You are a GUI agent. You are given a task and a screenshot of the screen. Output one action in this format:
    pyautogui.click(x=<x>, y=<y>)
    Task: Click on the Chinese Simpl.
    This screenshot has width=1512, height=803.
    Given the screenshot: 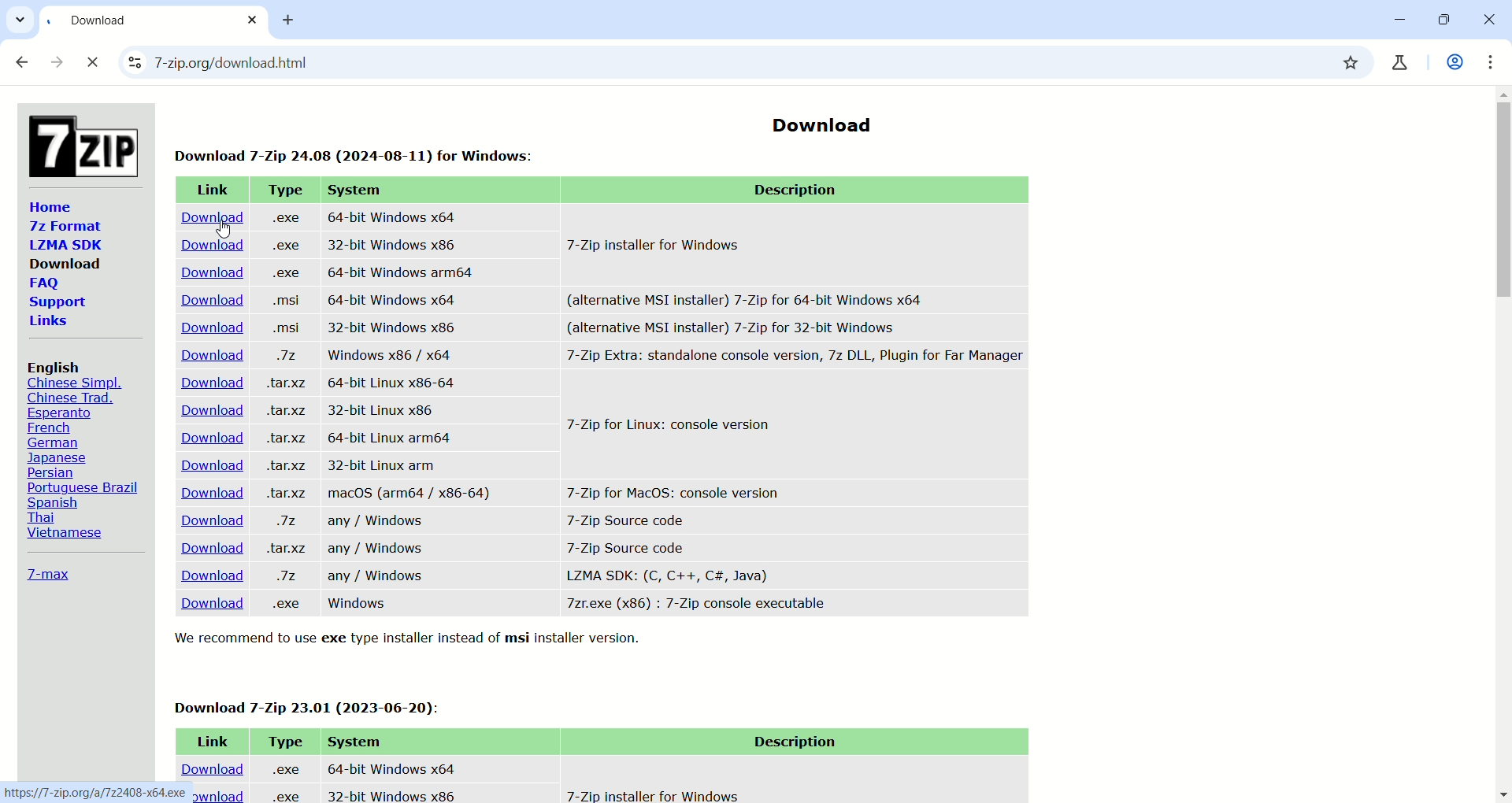 What is the action you would take?
    pyautogui.click(x=76, y=383)
    